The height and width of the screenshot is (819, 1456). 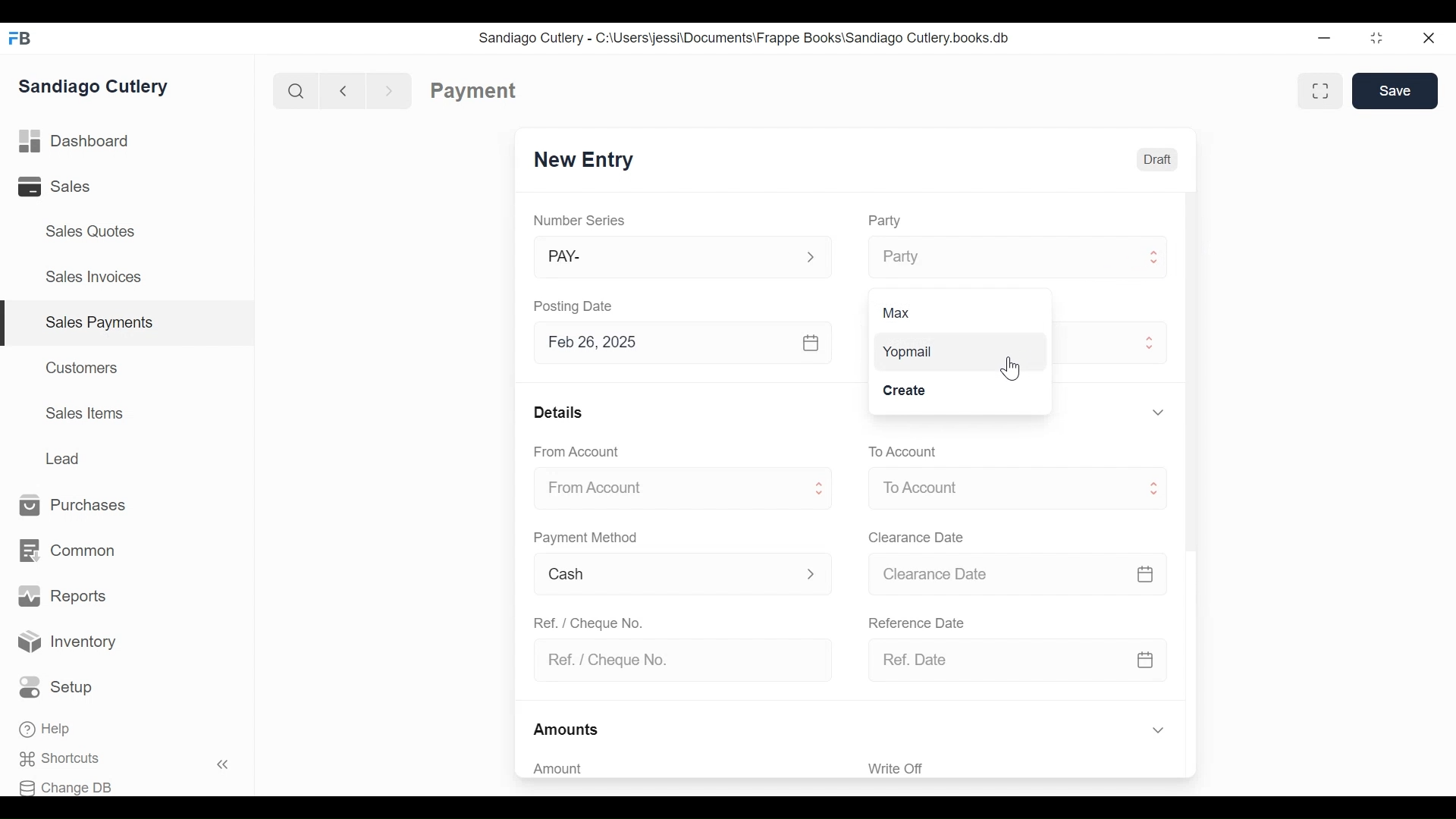 I want to click on Sandiago Cutlery, so click(x=96, y=86).